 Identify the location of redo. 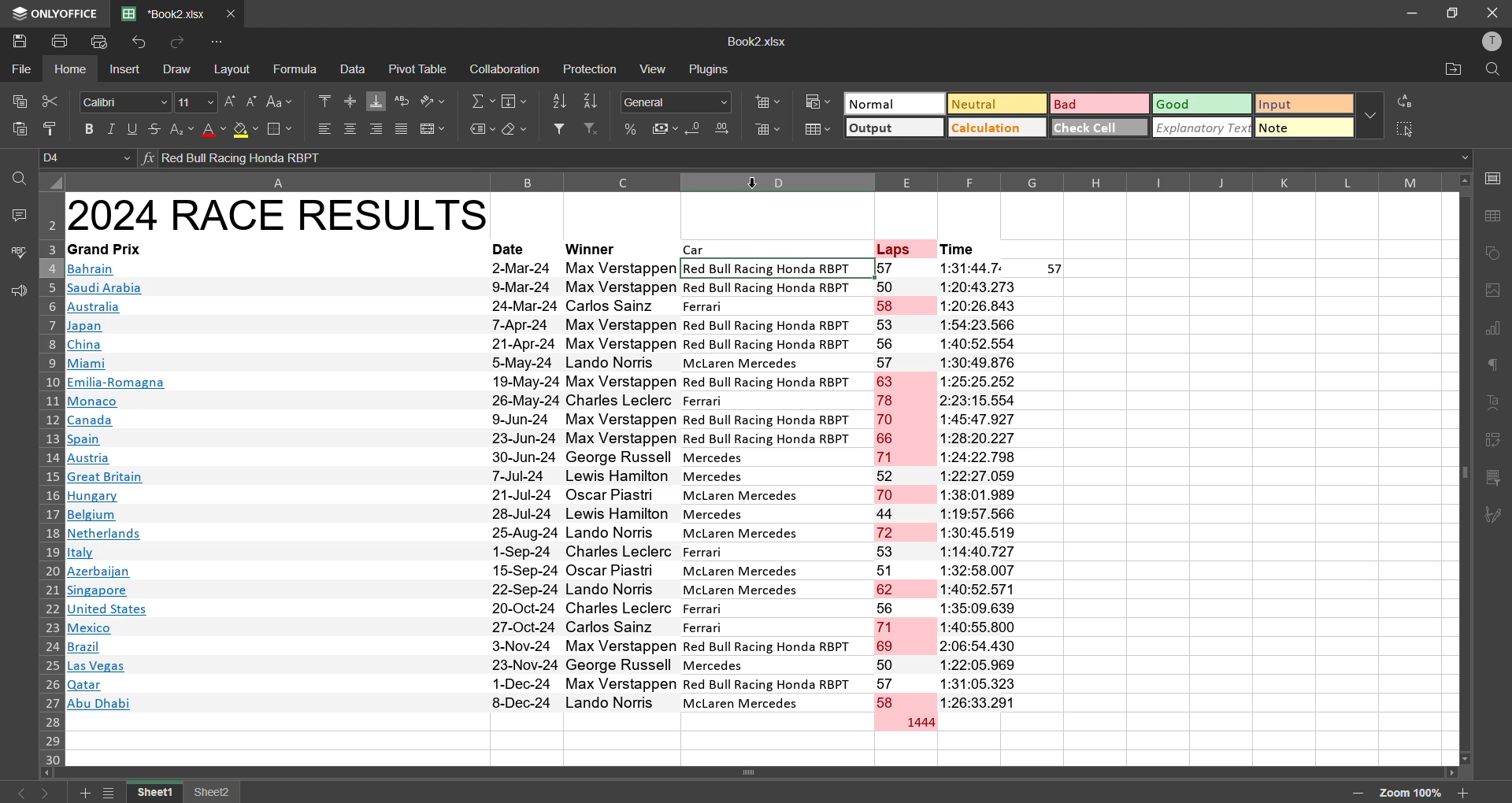
(174, 43).